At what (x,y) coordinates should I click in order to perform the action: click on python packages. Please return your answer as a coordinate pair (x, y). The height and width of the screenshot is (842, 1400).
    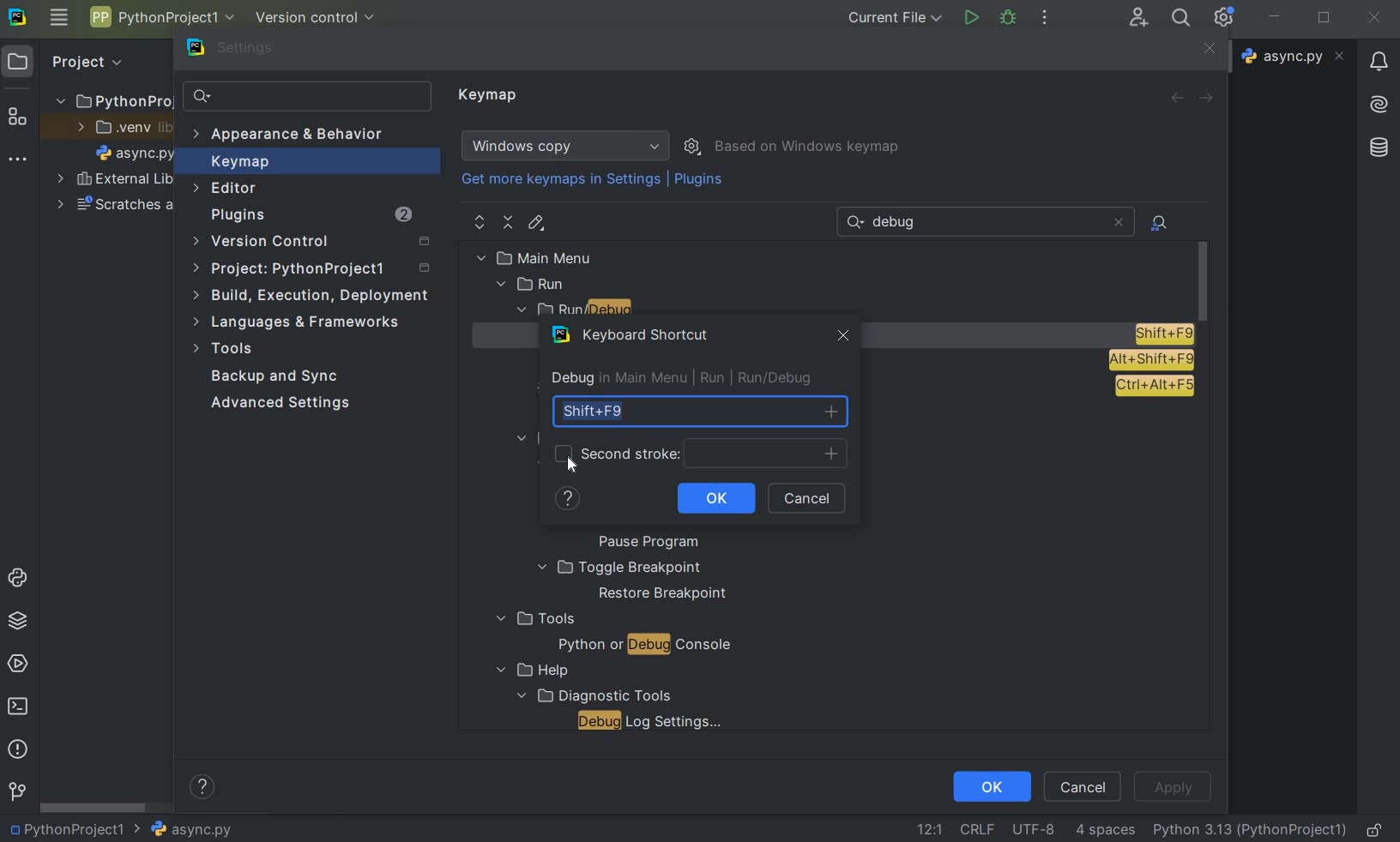
    Looking at the image, I should click on (21, 621).